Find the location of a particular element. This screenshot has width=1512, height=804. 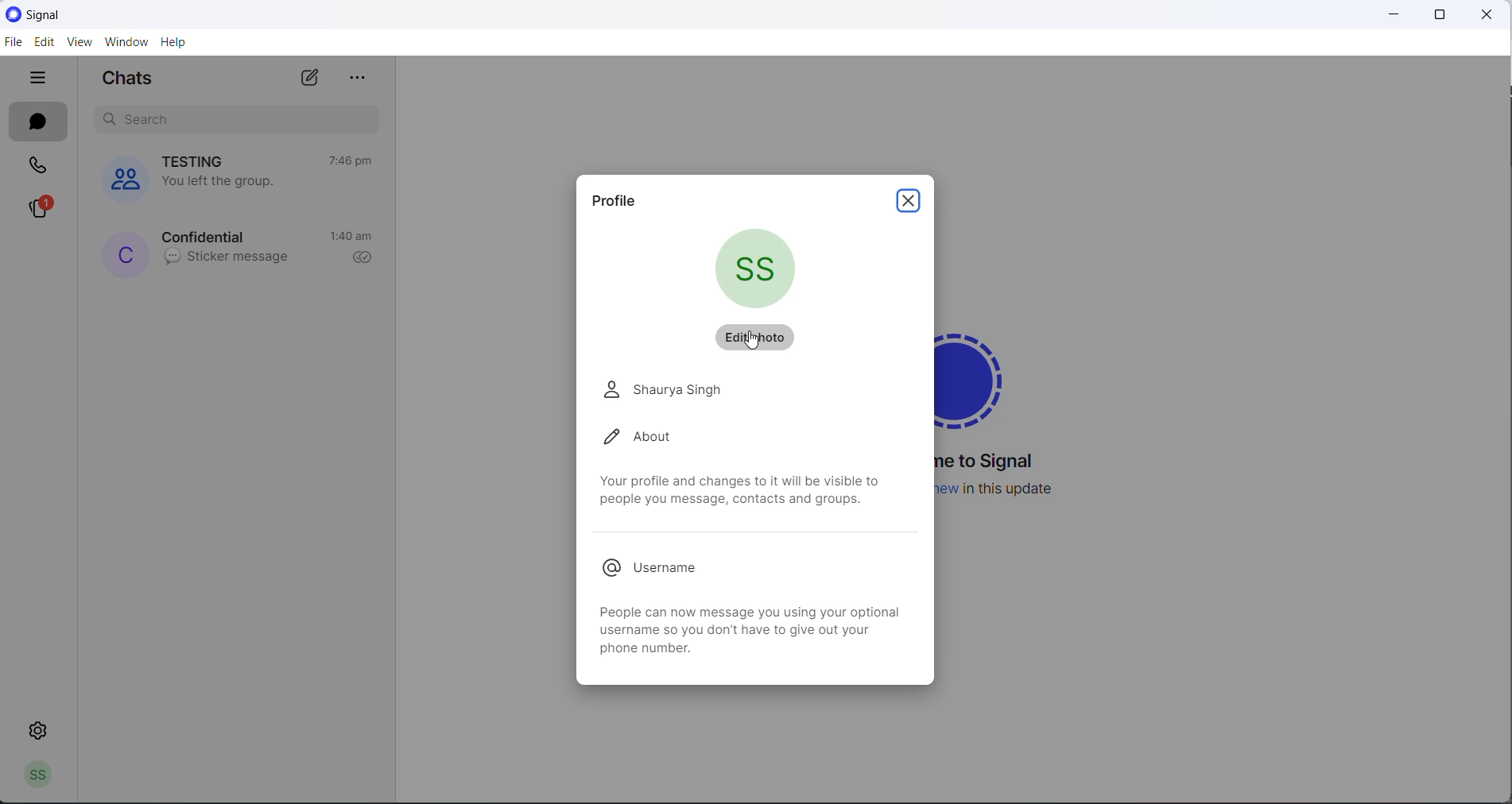

more options is located at coordinates (355, 79).